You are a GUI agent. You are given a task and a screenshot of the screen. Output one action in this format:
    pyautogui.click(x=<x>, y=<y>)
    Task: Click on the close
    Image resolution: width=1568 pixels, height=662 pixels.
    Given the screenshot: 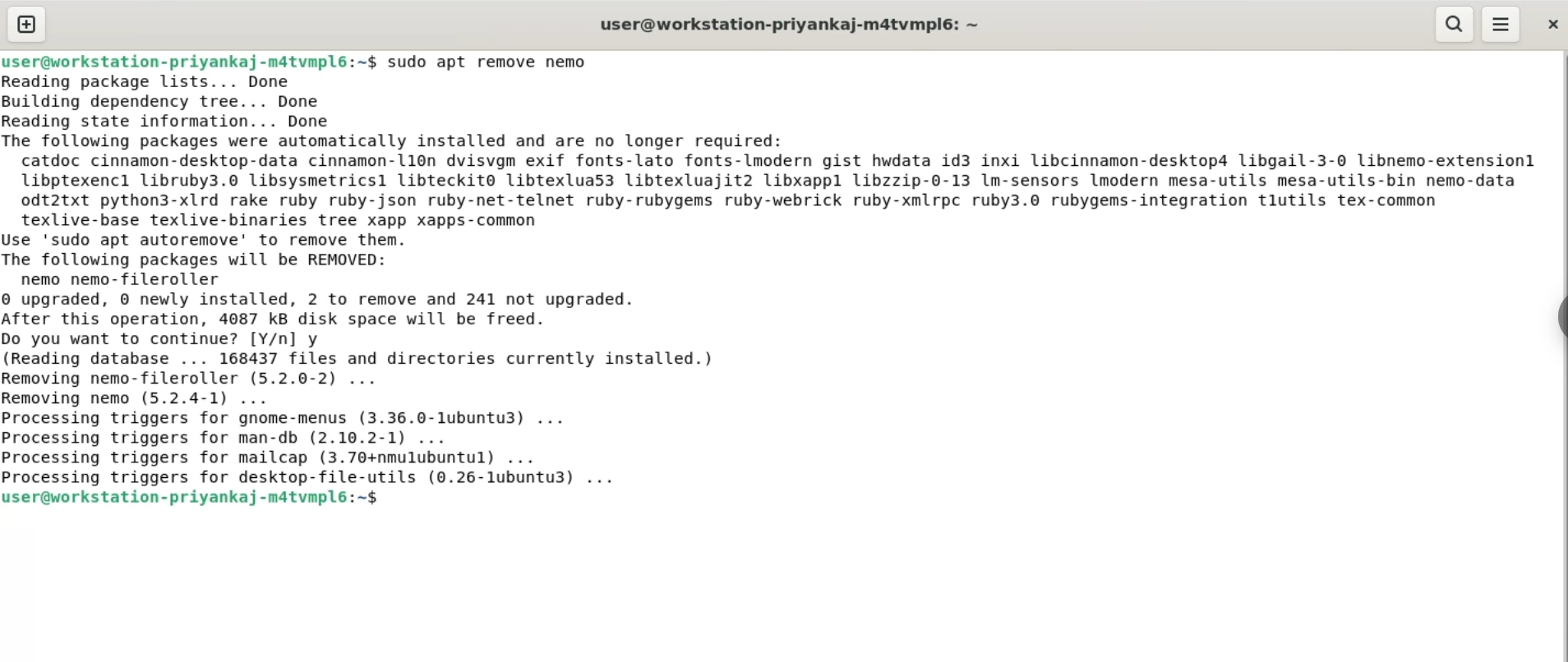 What is the action you would take?
    pyautogui.click(x=1552, y=25)
    